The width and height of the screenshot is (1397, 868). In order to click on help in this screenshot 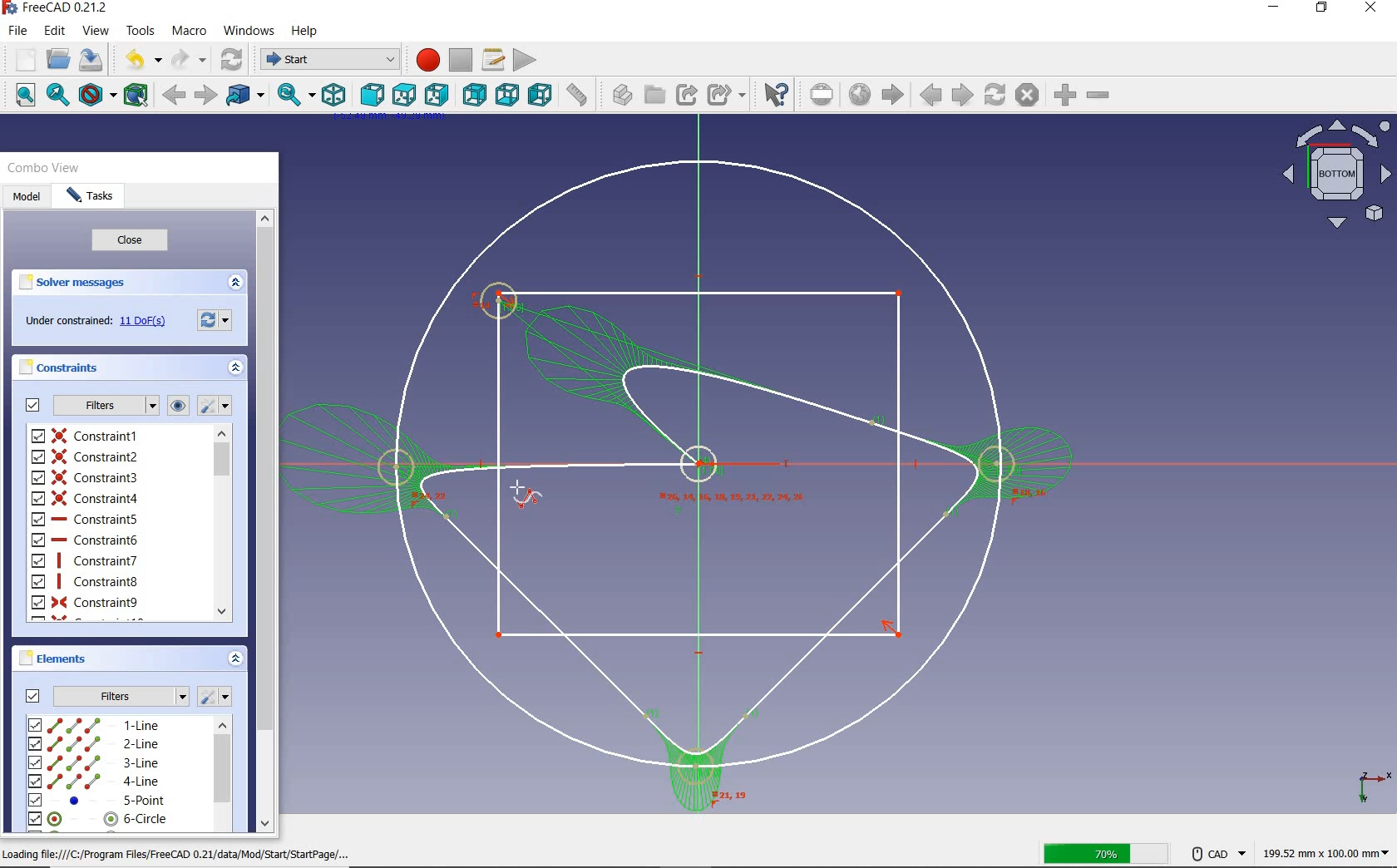, I will do `click(305, 31)`.